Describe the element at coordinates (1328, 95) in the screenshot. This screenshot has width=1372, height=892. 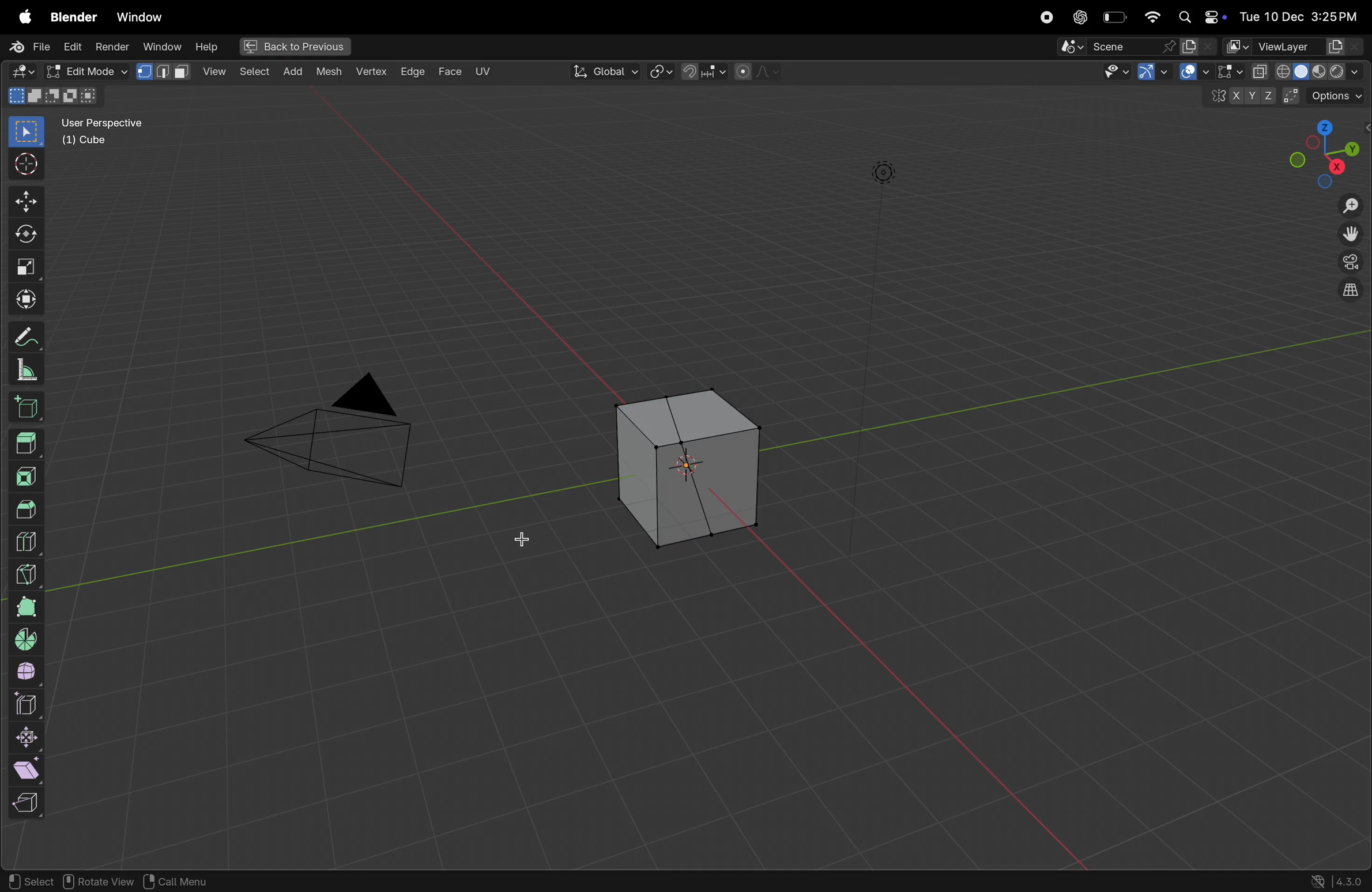
I see `option` at that location.